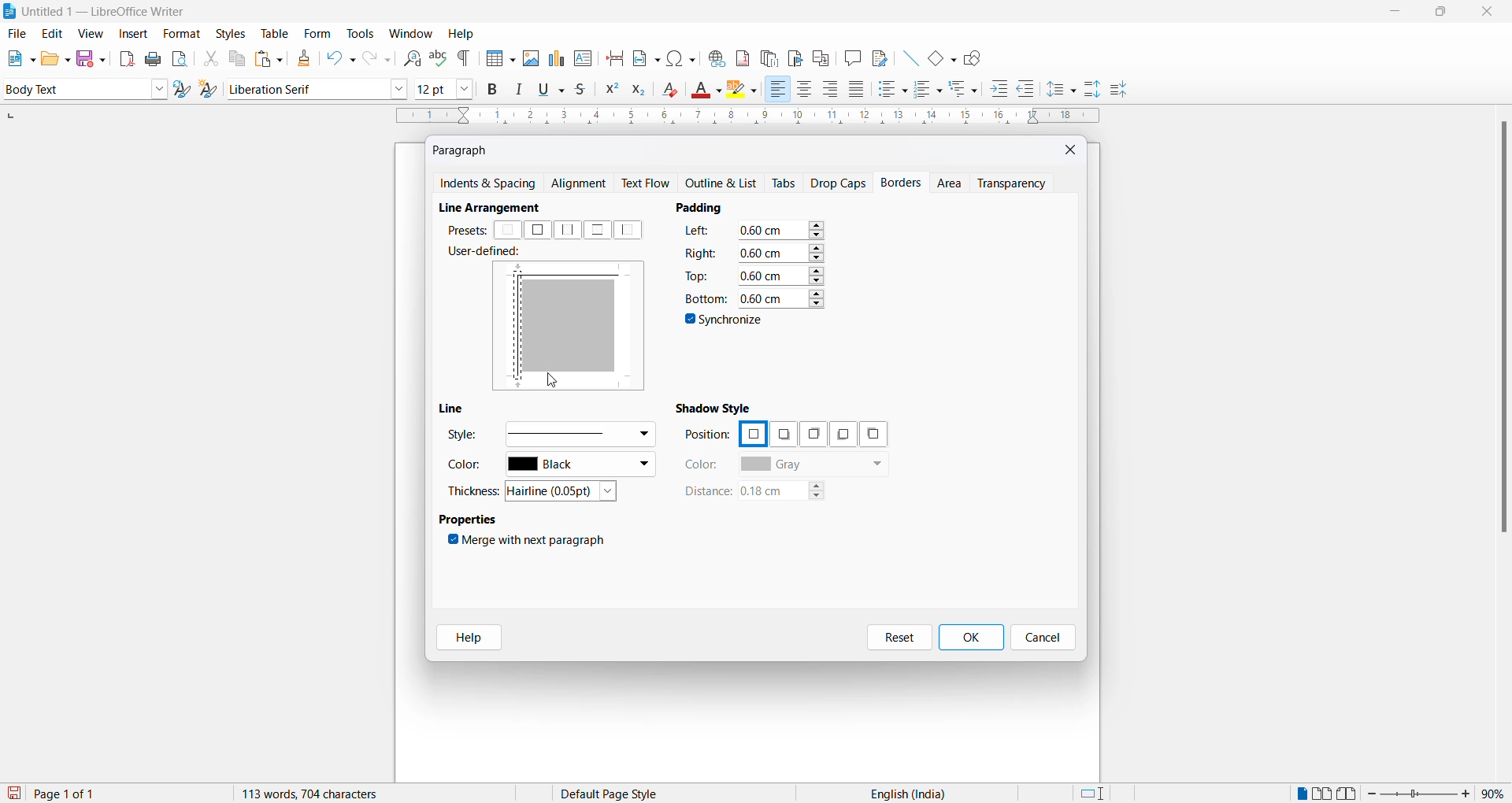 The width and height of the screenshot is (1512, 803). Describe the element at coordinates (1440, 13) in the screenshot. I see `maximize` at that location.